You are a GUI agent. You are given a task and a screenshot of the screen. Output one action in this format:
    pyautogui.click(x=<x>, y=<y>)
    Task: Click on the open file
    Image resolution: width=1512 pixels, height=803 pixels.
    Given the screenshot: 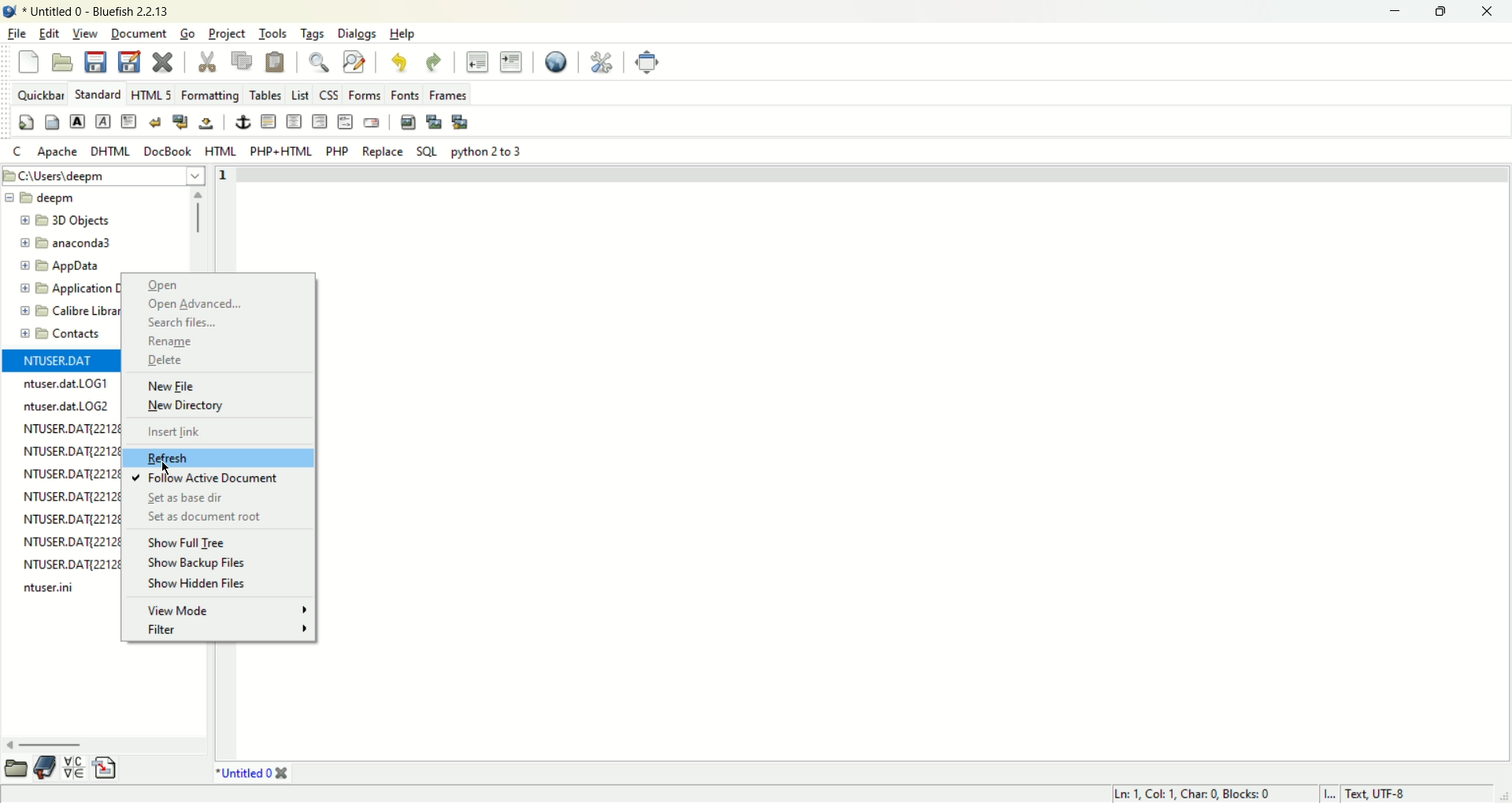 What is the action you would take?
    pyautogui.click(x=64, y=61)
    